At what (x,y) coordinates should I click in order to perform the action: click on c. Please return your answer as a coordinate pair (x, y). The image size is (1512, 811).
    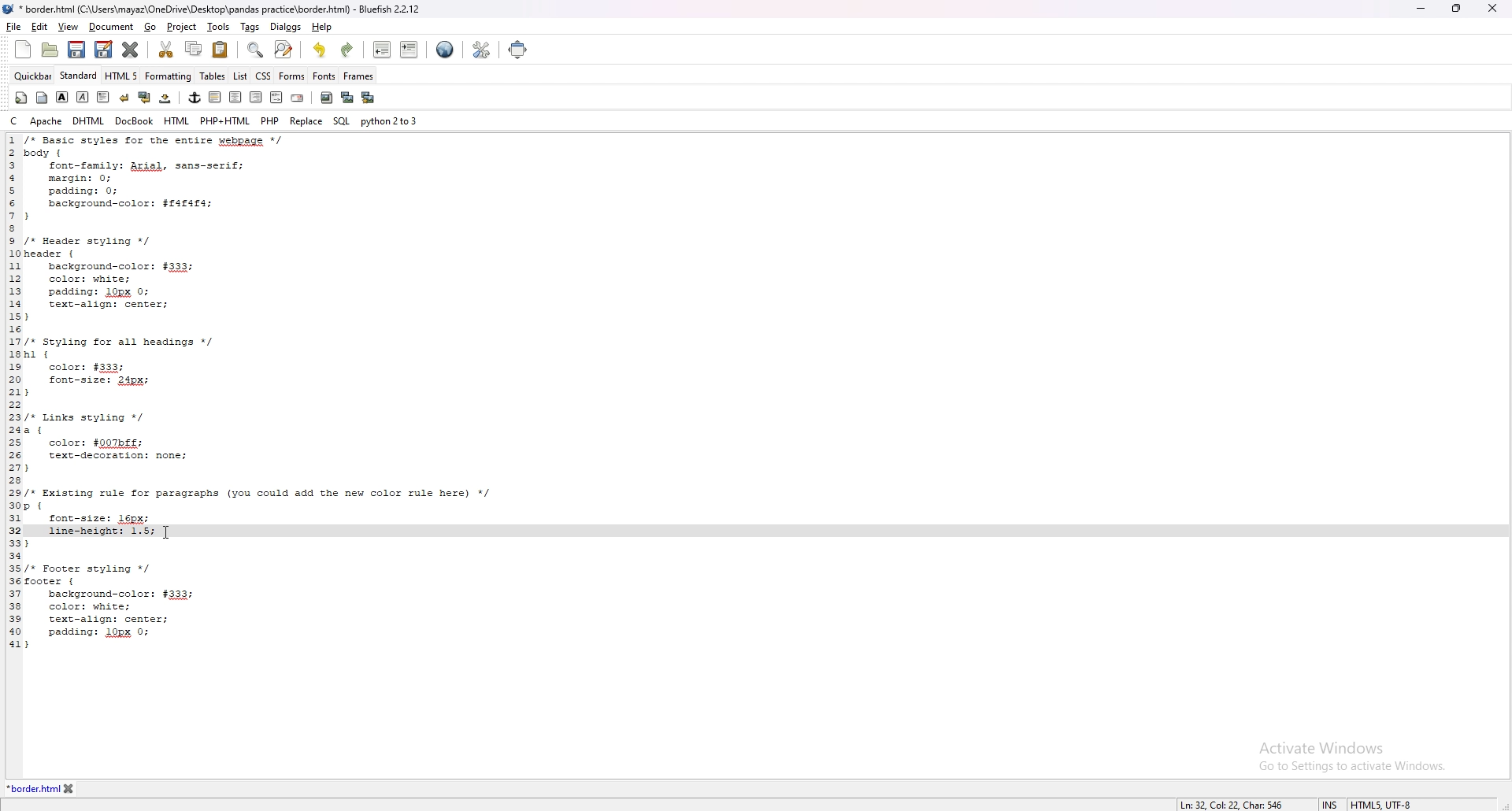
    Looking at the image, I should click on (15, 121).